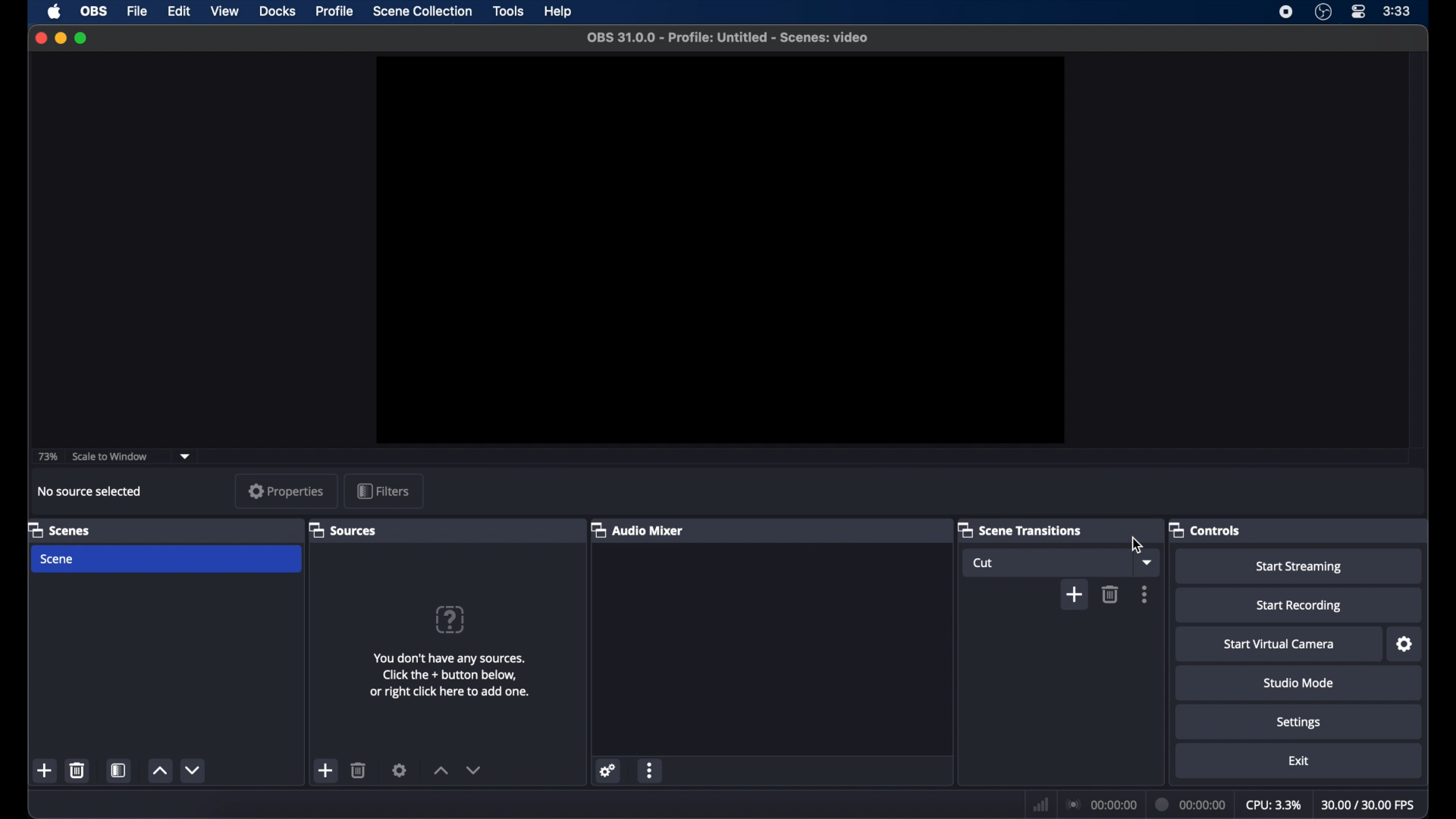 Image resolution: width=1456 pixels, height=819 pixels. Describe the element at coordinates (60, 39) in the screenshot. I see `minimize` at that location.